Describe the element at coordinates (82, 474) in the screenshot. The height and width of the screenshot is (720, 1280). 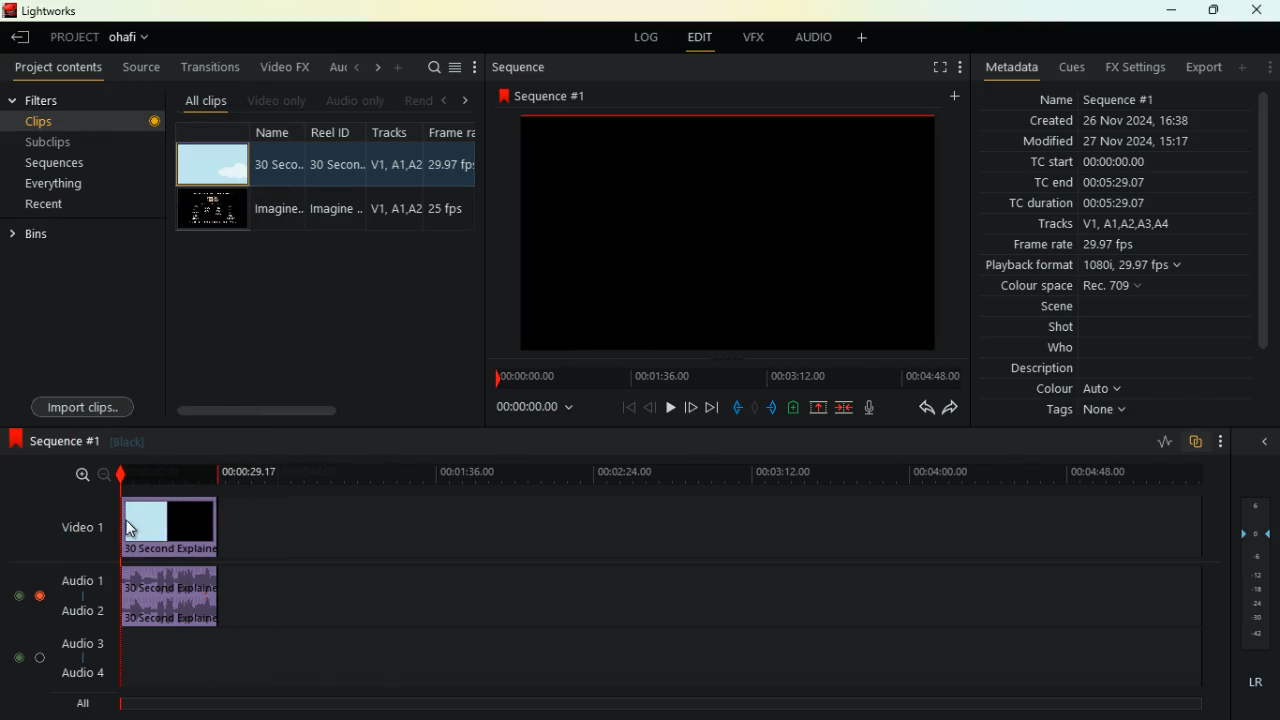
I see `zoom` at that location.